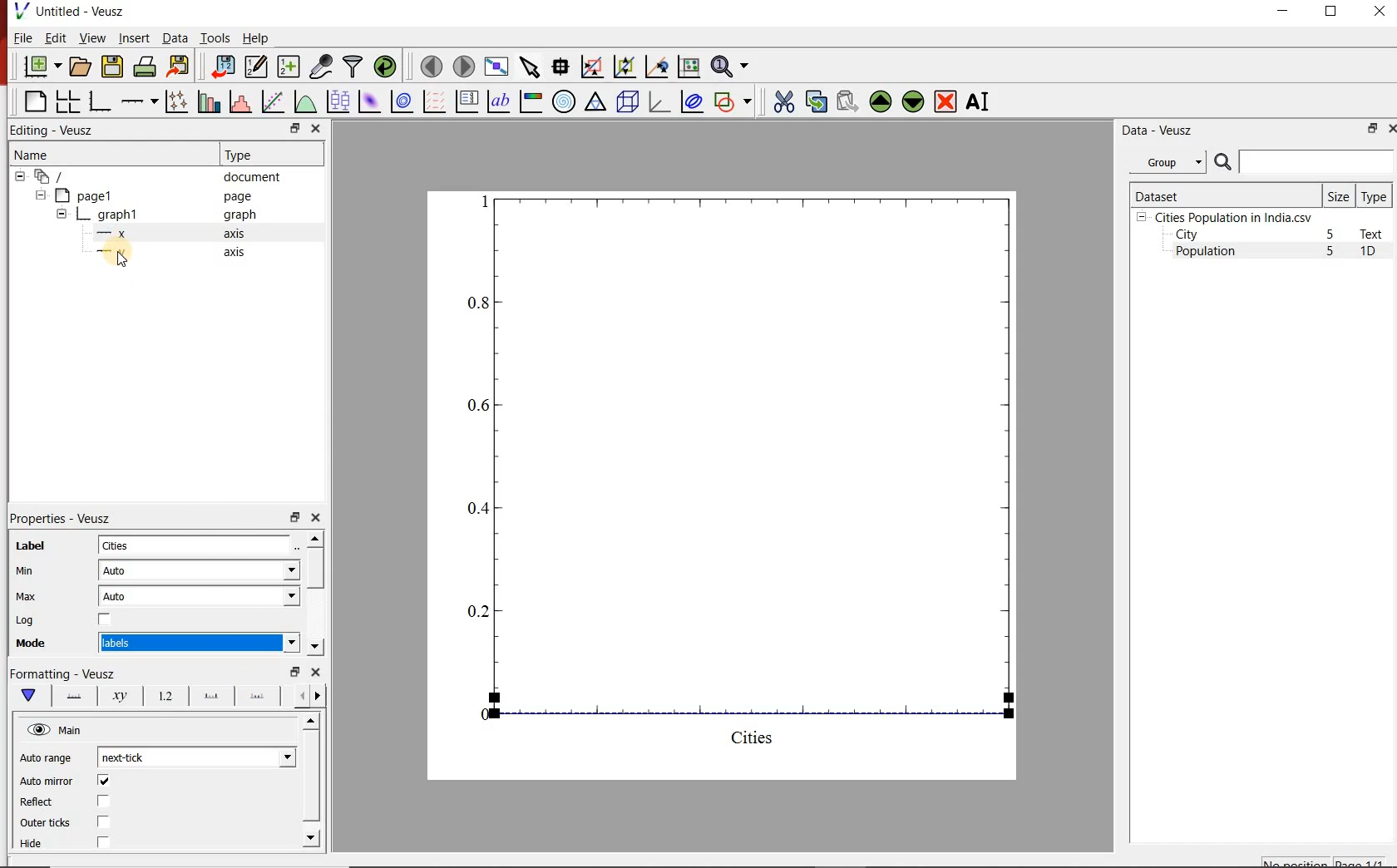 The height and width of the screenshot is (868, 1397). What do you see at coordinates (67, 101) in the screenshot?
I see `arrange graphs in a grid` at bounding box center [67, 101].